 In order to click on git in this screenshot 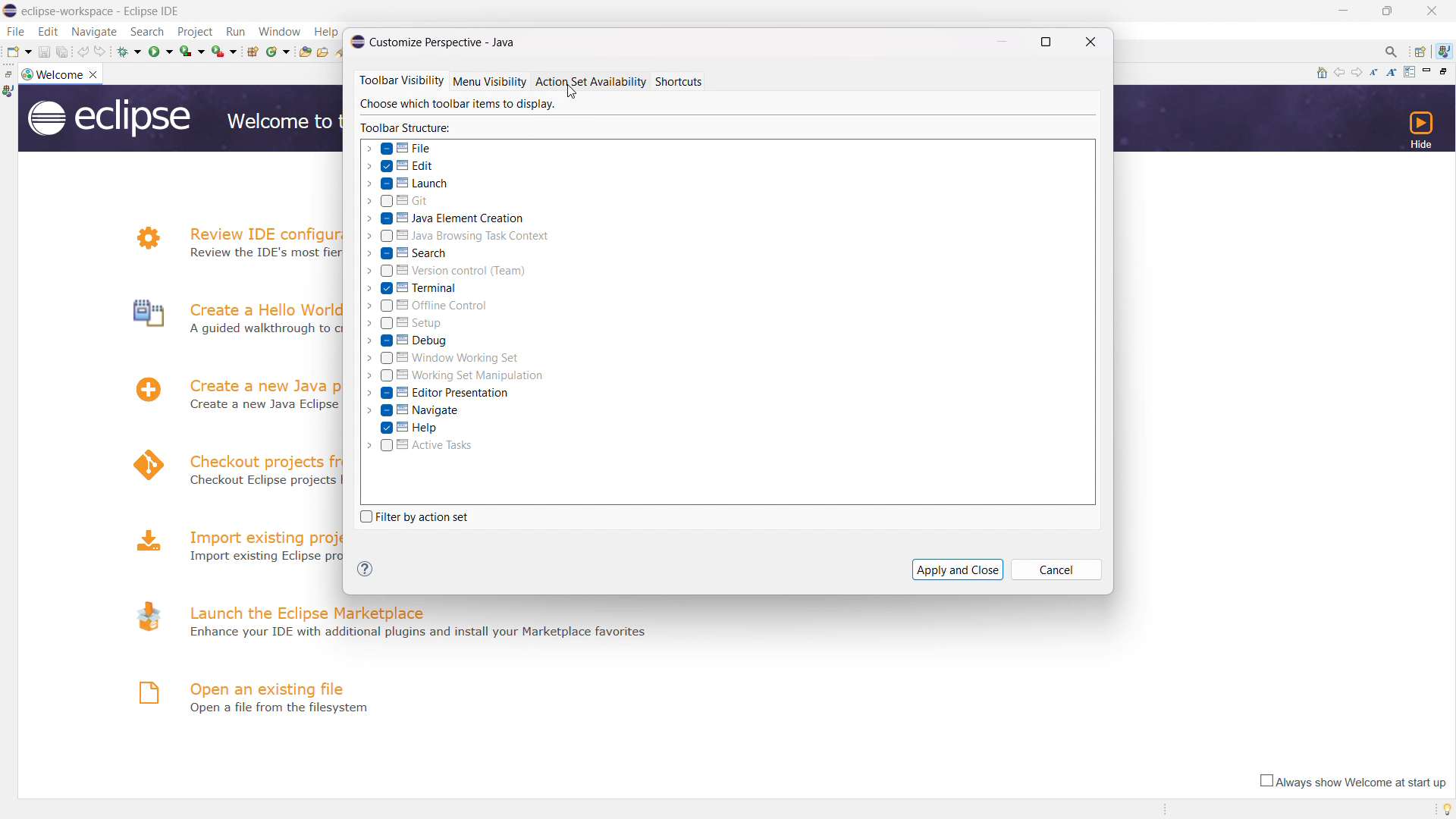, I will do `click(397, 200)`.